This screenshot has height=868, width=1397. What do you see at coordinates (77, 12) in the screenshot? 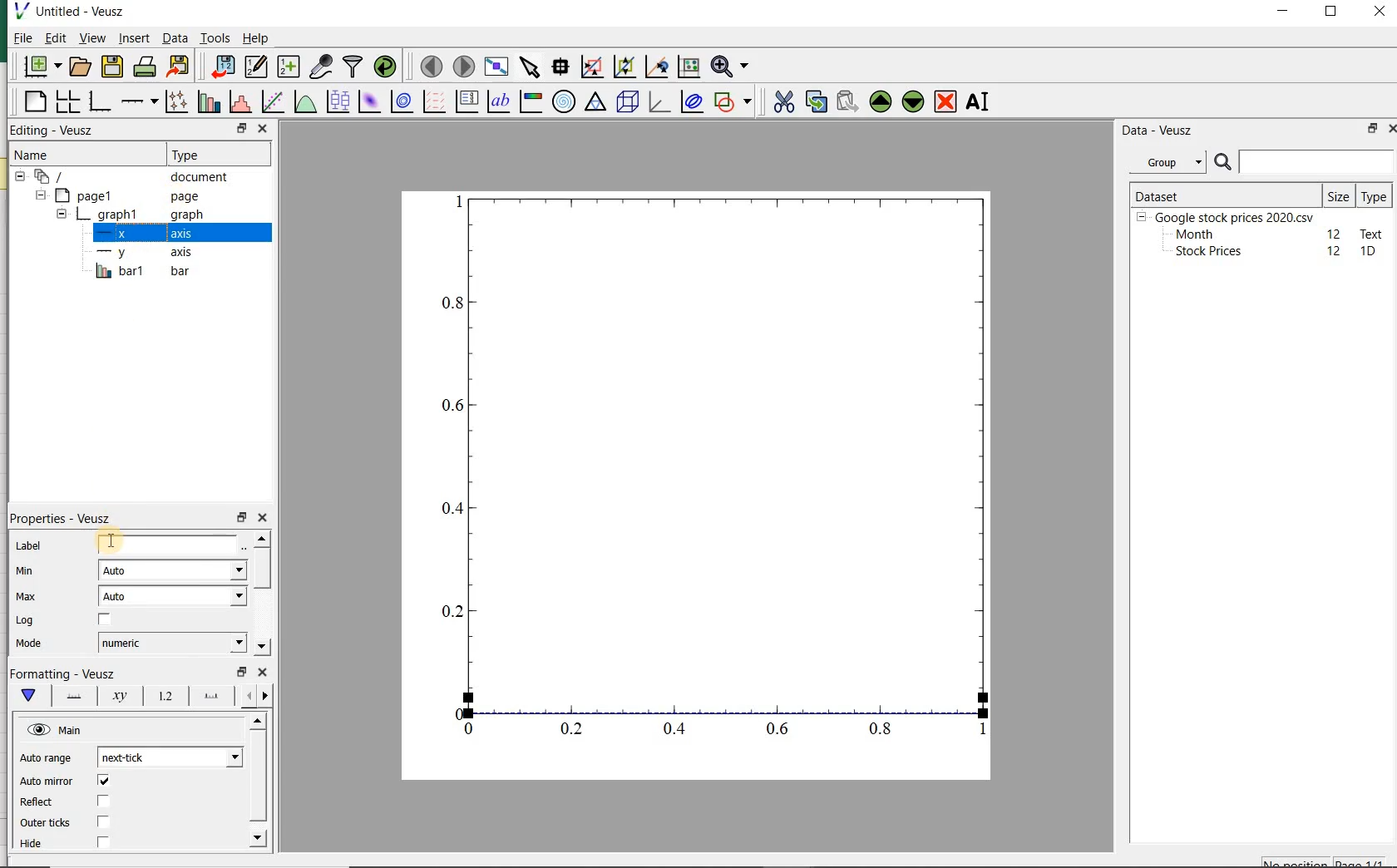
I see `Untitled-Veusz` at bounding box center [77, 12].